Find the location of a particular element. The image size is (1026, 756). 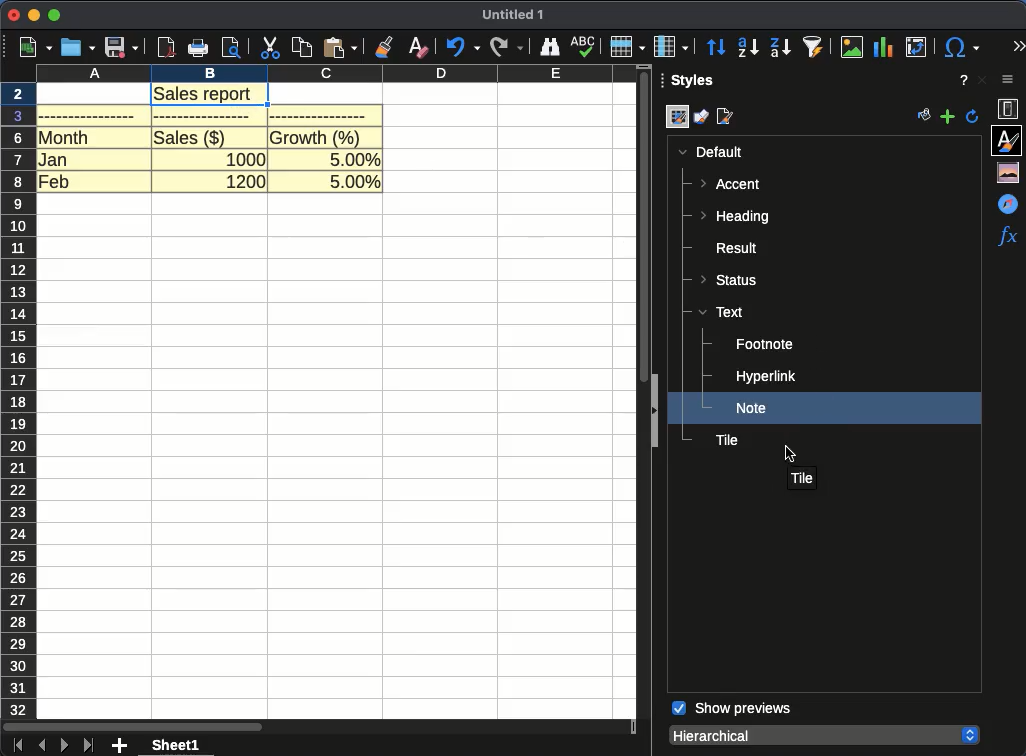

1000 is located at coordinates (246, 157).